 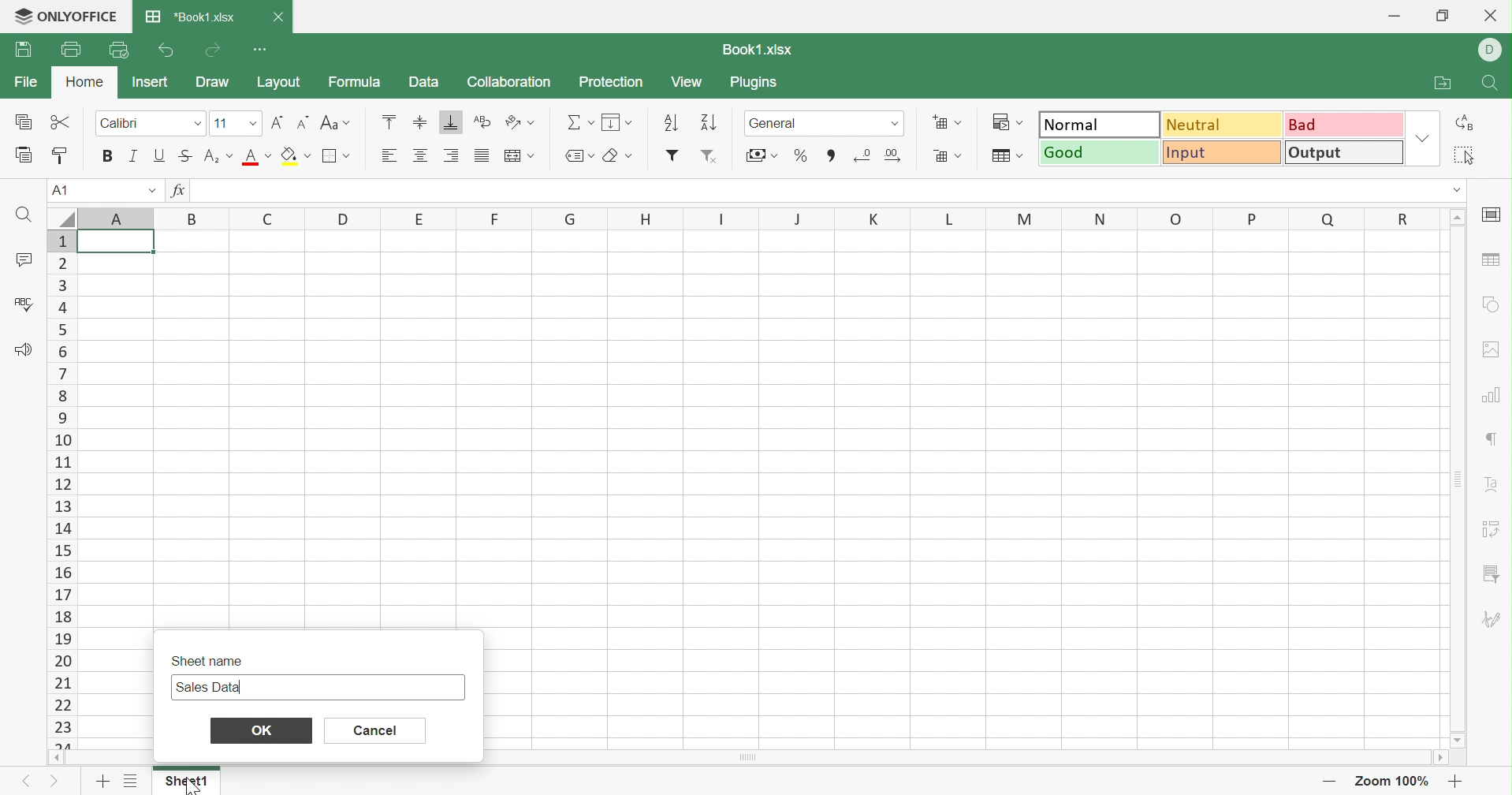 I want to click on Increase font size, so click(x=277, y=121).